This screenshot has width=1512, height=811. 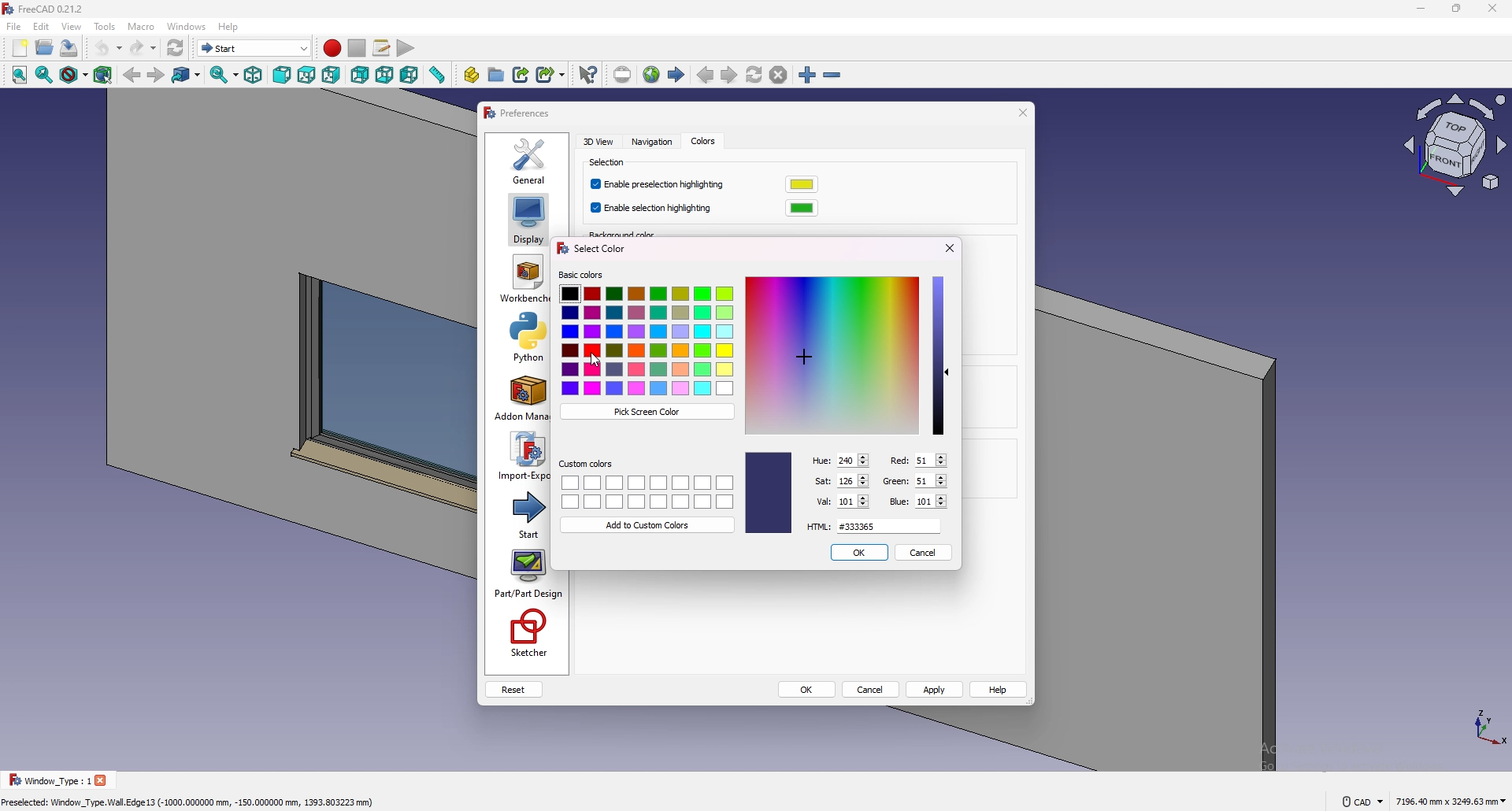 I want to click on refresh web page, so click(x=755, y=75).